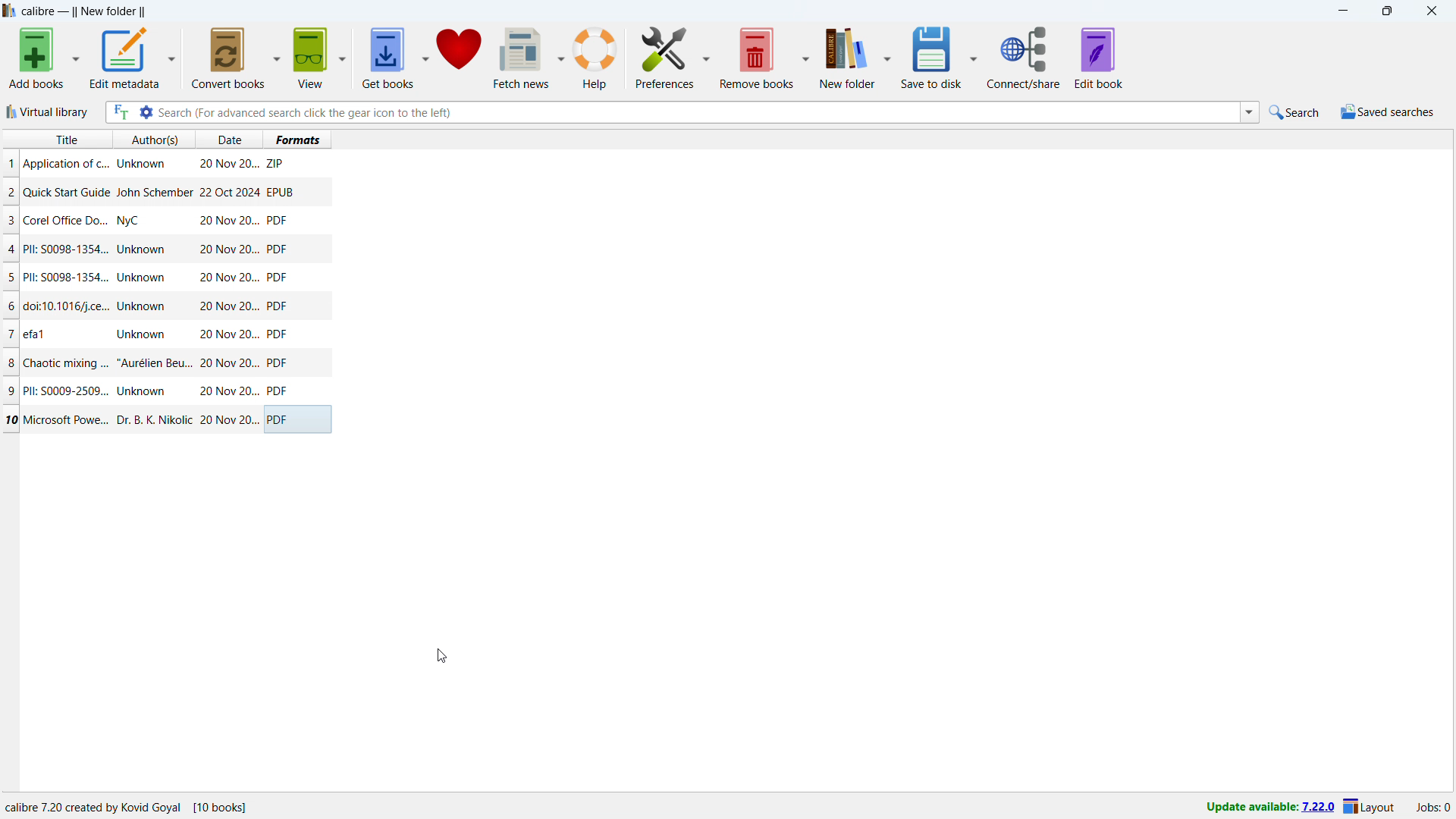  I want to click on search all text, so click(121, 112).